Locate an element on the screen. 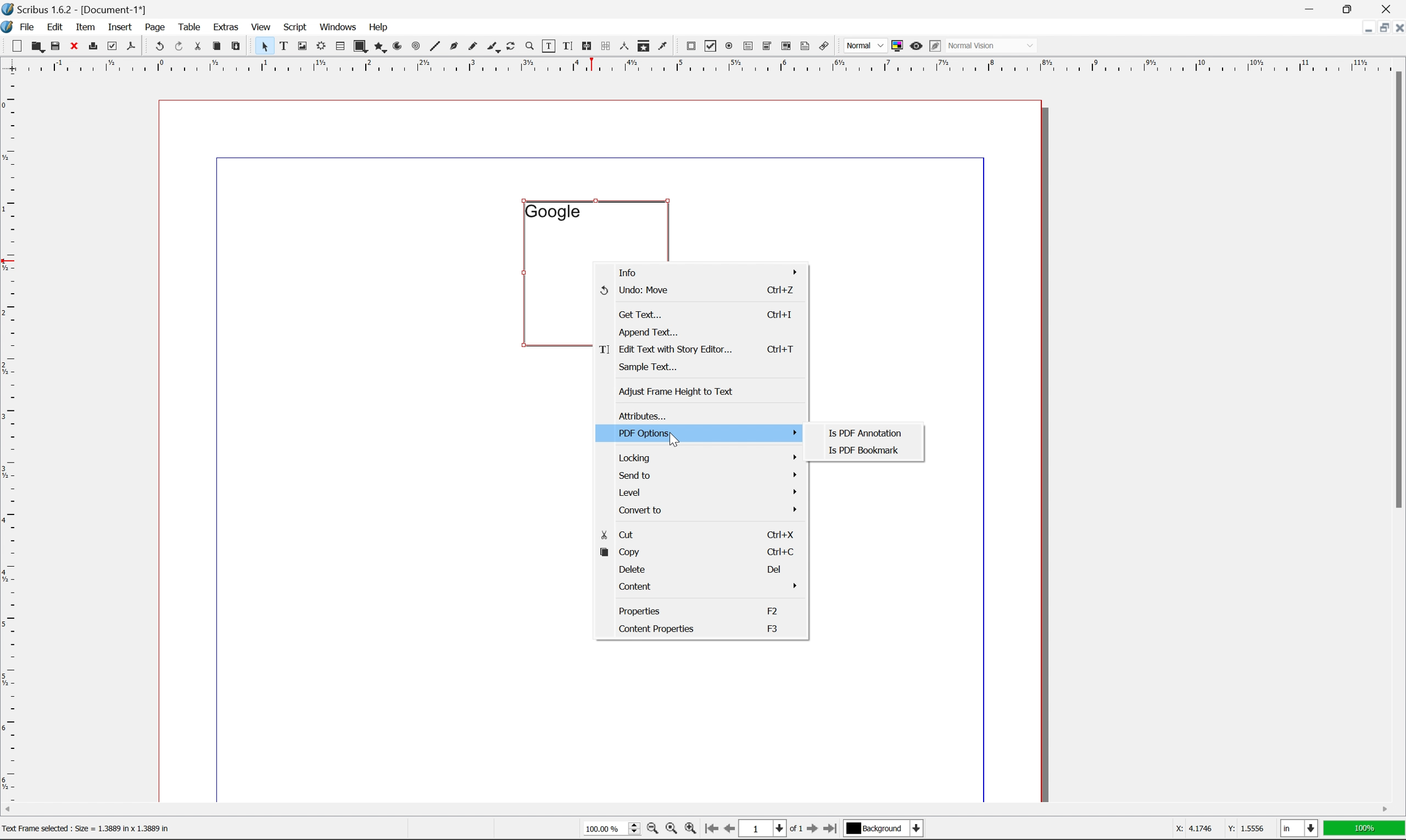 Image resolution: width=1406 pixels, height=840 pixels. print is located at coordinates (92, 47).